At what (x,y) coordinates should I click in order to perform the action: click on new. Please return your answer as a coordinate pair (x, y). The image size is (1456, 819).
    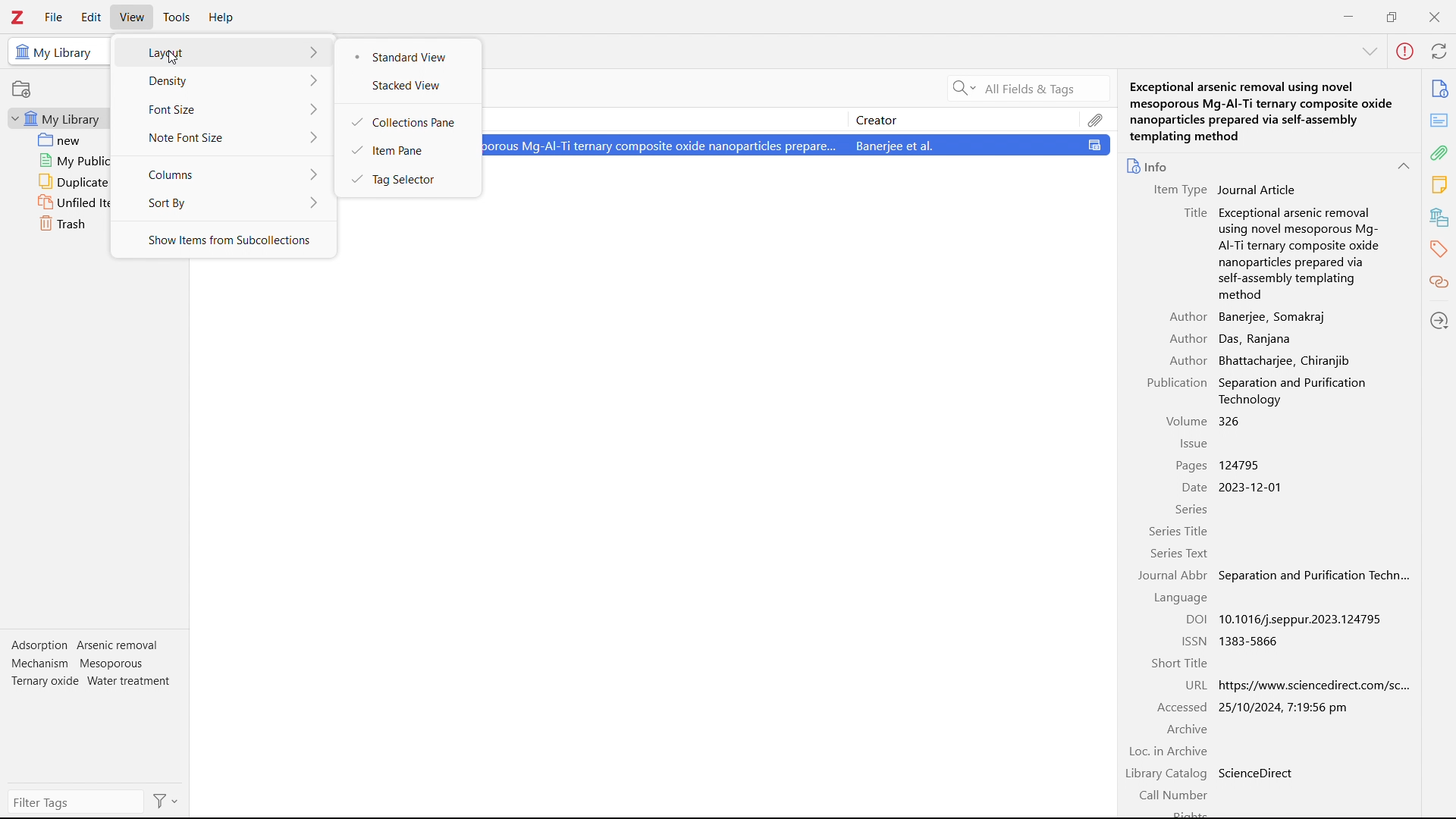
    Looking at the image, I should click on (55, 140).